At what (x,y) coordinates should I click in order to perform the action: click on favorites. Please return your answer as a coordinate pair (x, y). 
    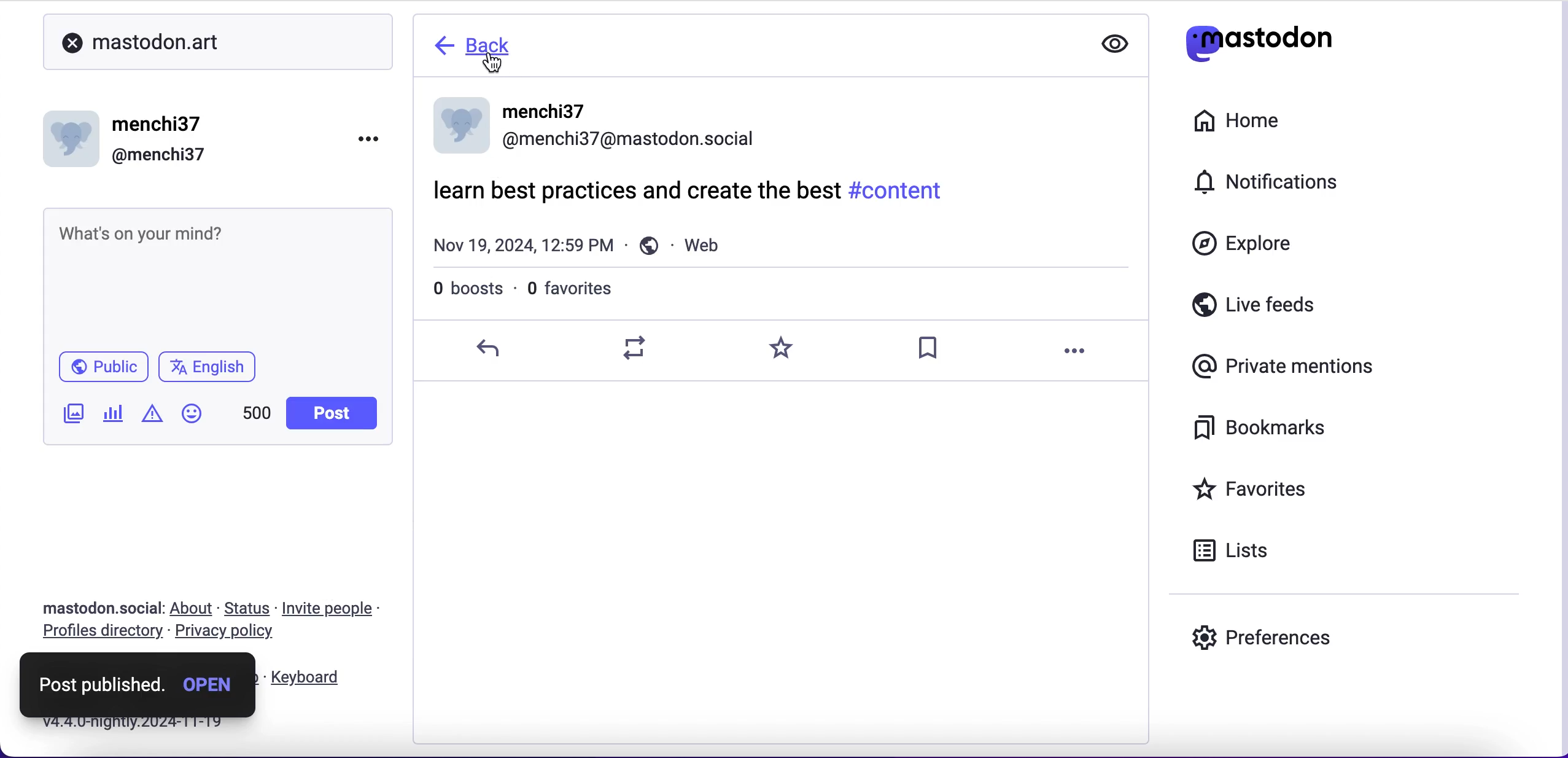
    Looking at the image, I should click on (1282, 488).